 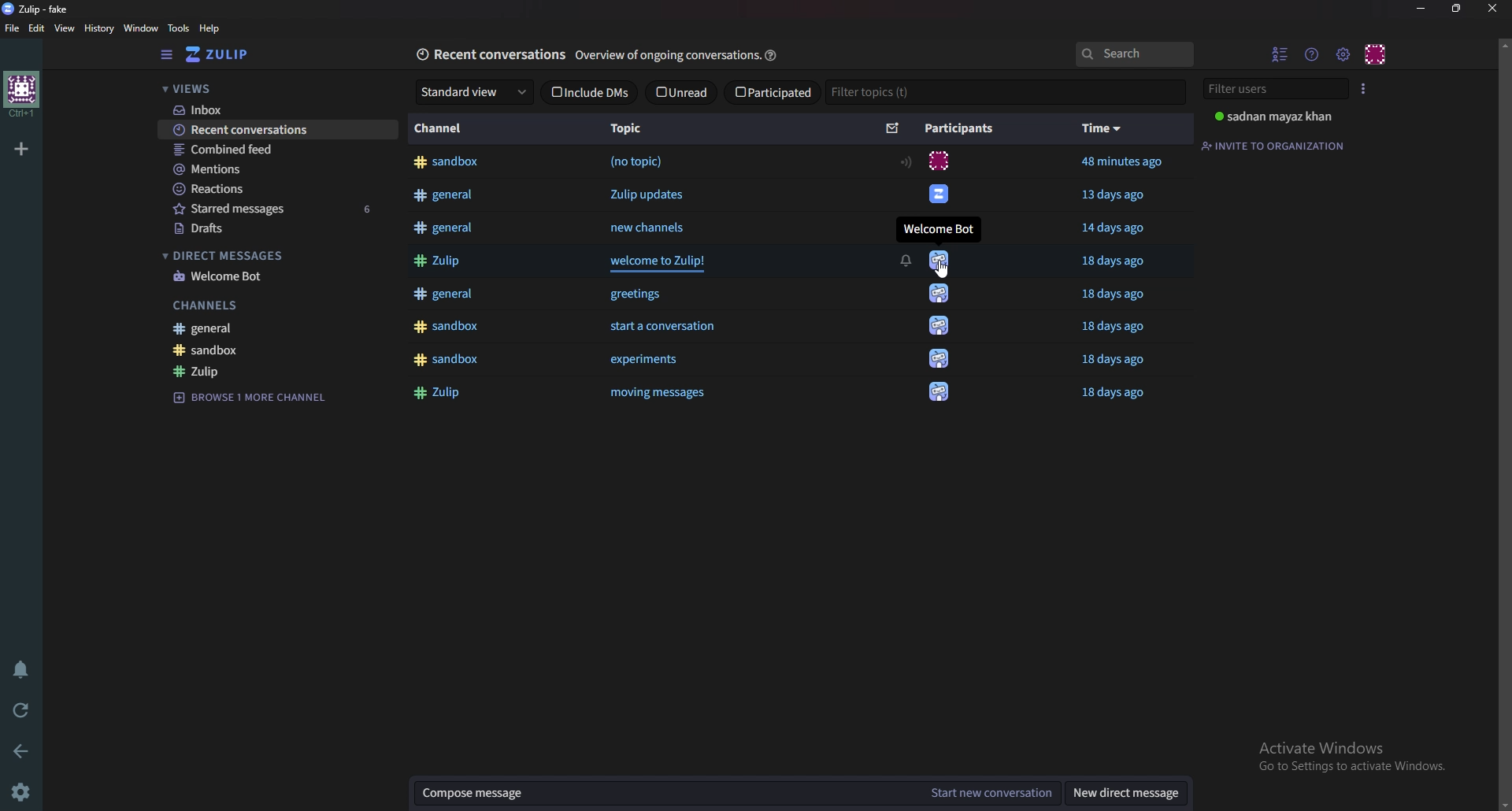 What do you see at coordinates (275, 256) in the screenshot?
I see `Direct messages` at bounding box center [275, 256].